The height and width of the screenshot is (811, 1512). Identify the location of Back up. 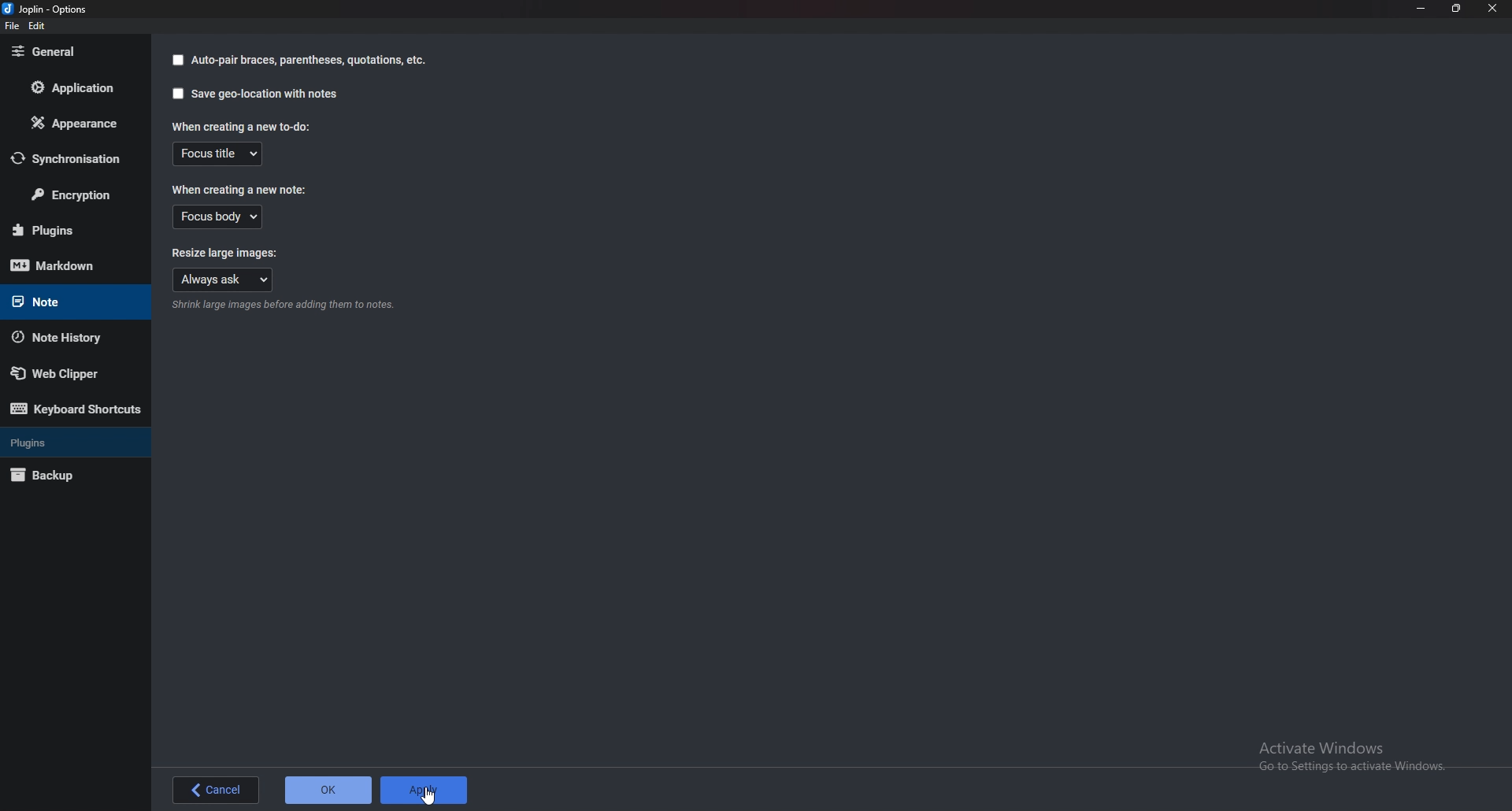
(61, 476).